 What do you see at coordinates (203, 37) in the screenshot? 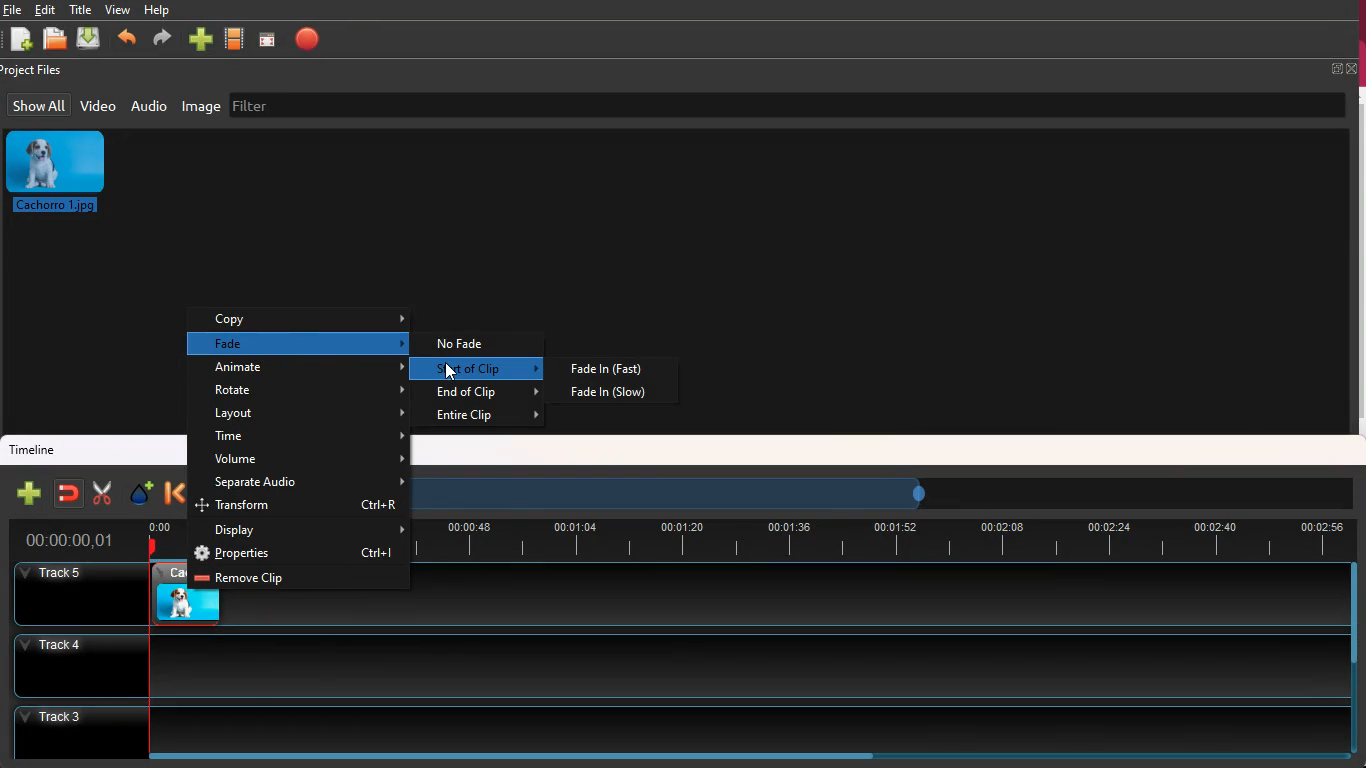
I see `new` at bounding box center [203, 37].